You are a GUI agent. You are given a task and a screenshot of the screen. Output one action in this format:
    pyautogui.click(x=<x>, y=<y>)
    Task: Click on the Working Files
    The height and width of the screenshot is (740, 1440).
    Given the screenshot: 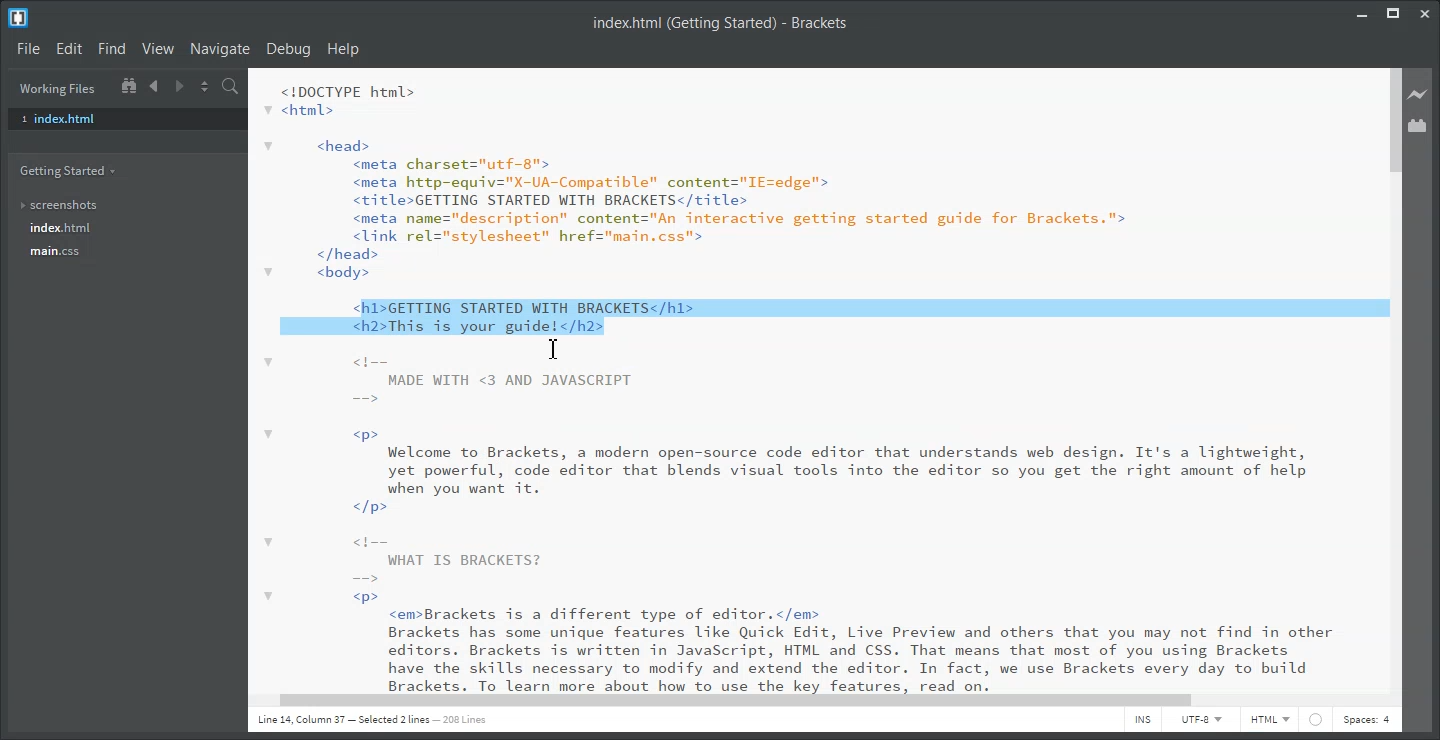 What is the action you would take?
    pyautogui.click(x=57, y=89)
    